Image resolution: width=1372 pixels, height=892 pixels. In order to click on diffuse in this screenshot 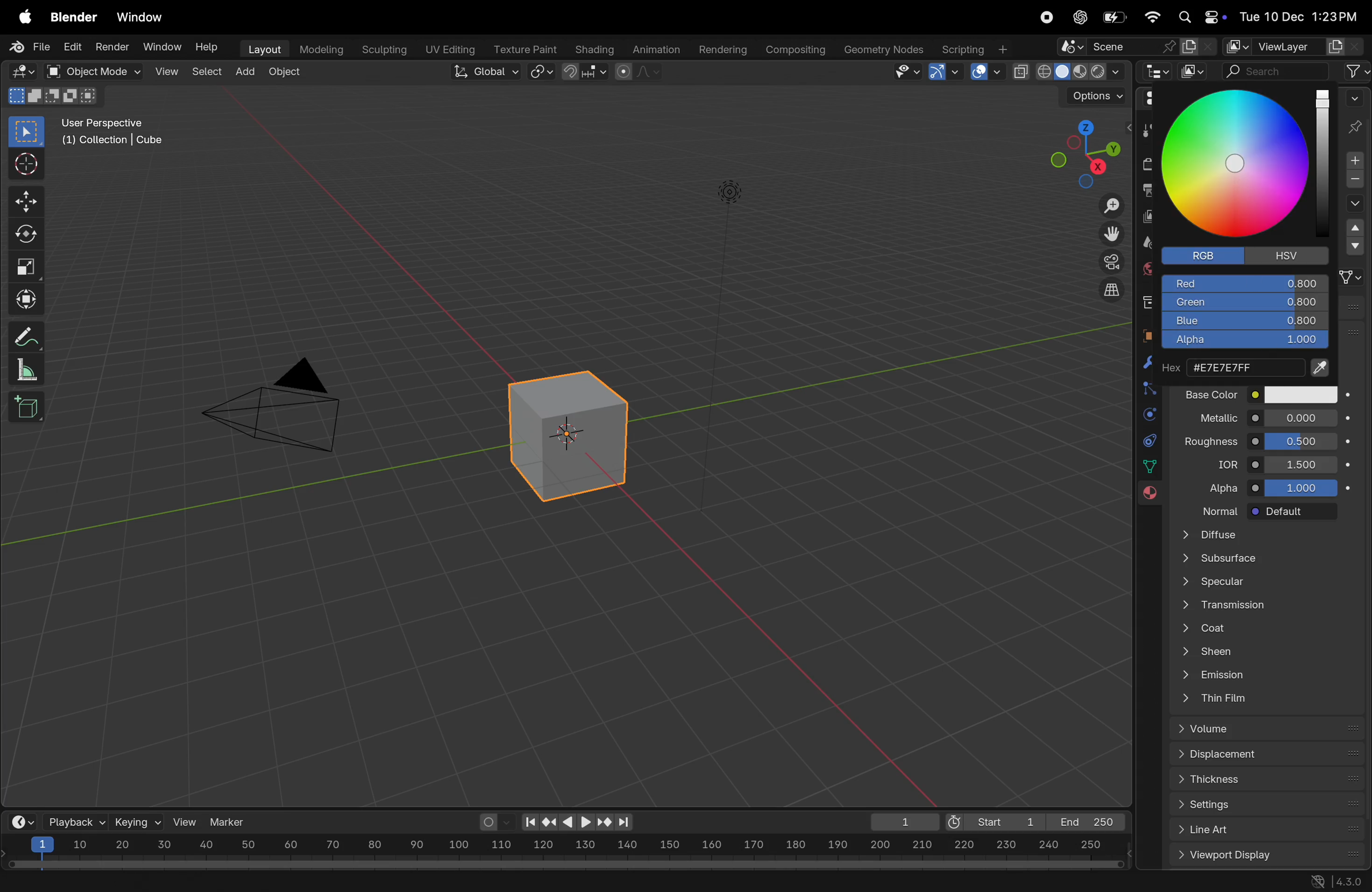, I will do `click(1269, 535)`.